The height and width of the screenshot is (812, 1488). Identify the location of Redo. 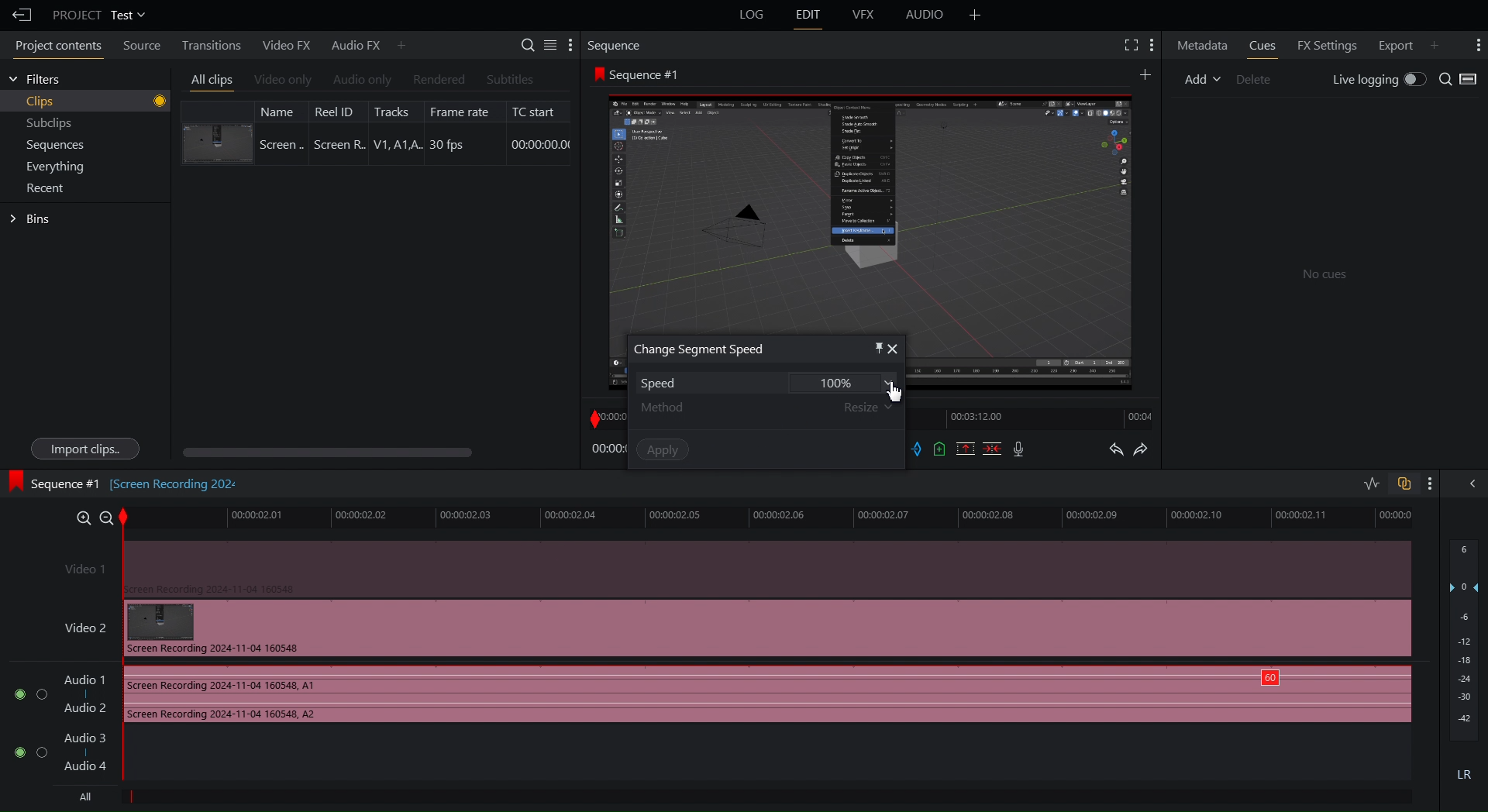
(1149, 451).